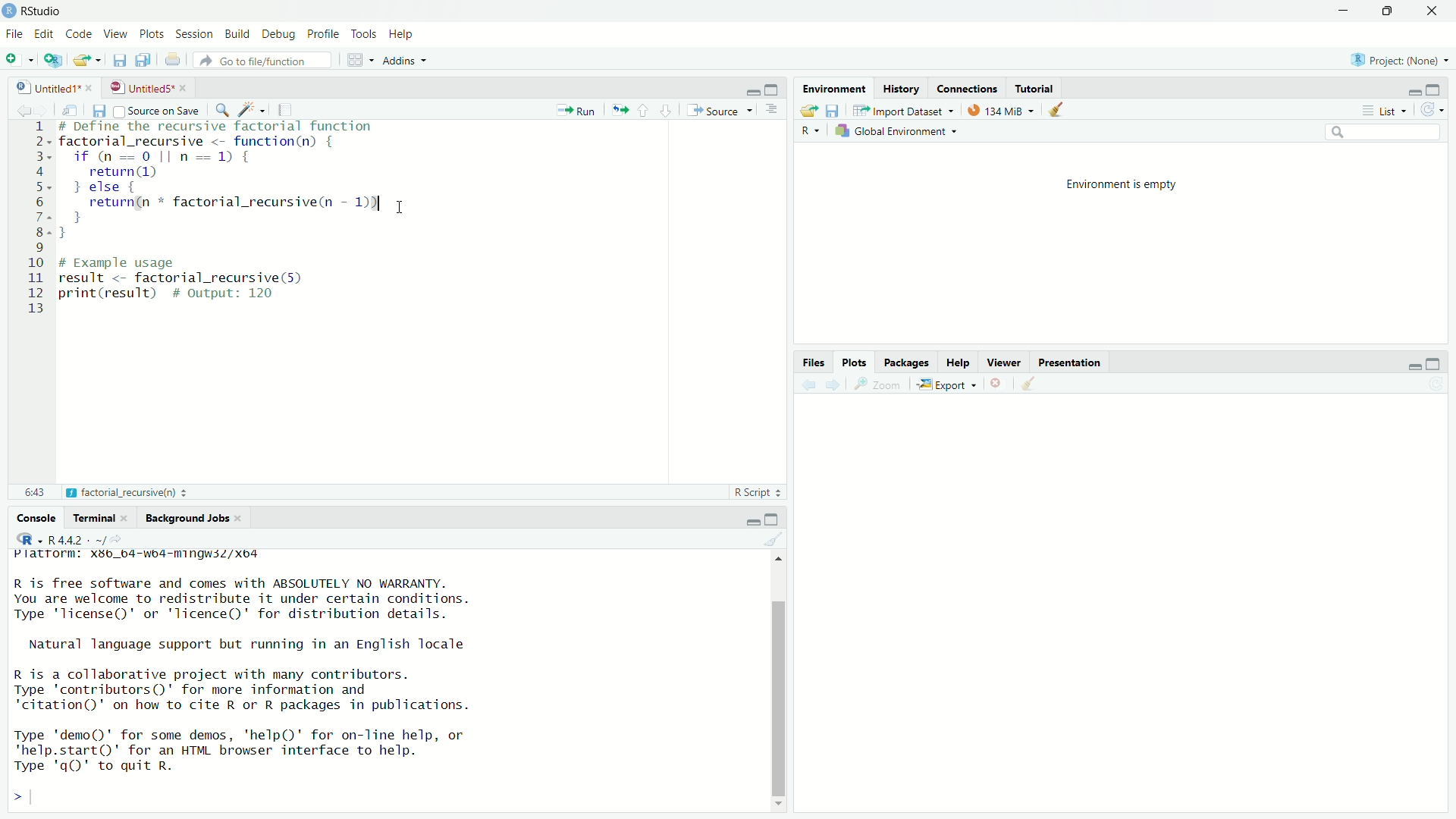  What do you see at coordinates (999, 382) in the screenshot?
I see `Button` at bounding box center [999, 382].